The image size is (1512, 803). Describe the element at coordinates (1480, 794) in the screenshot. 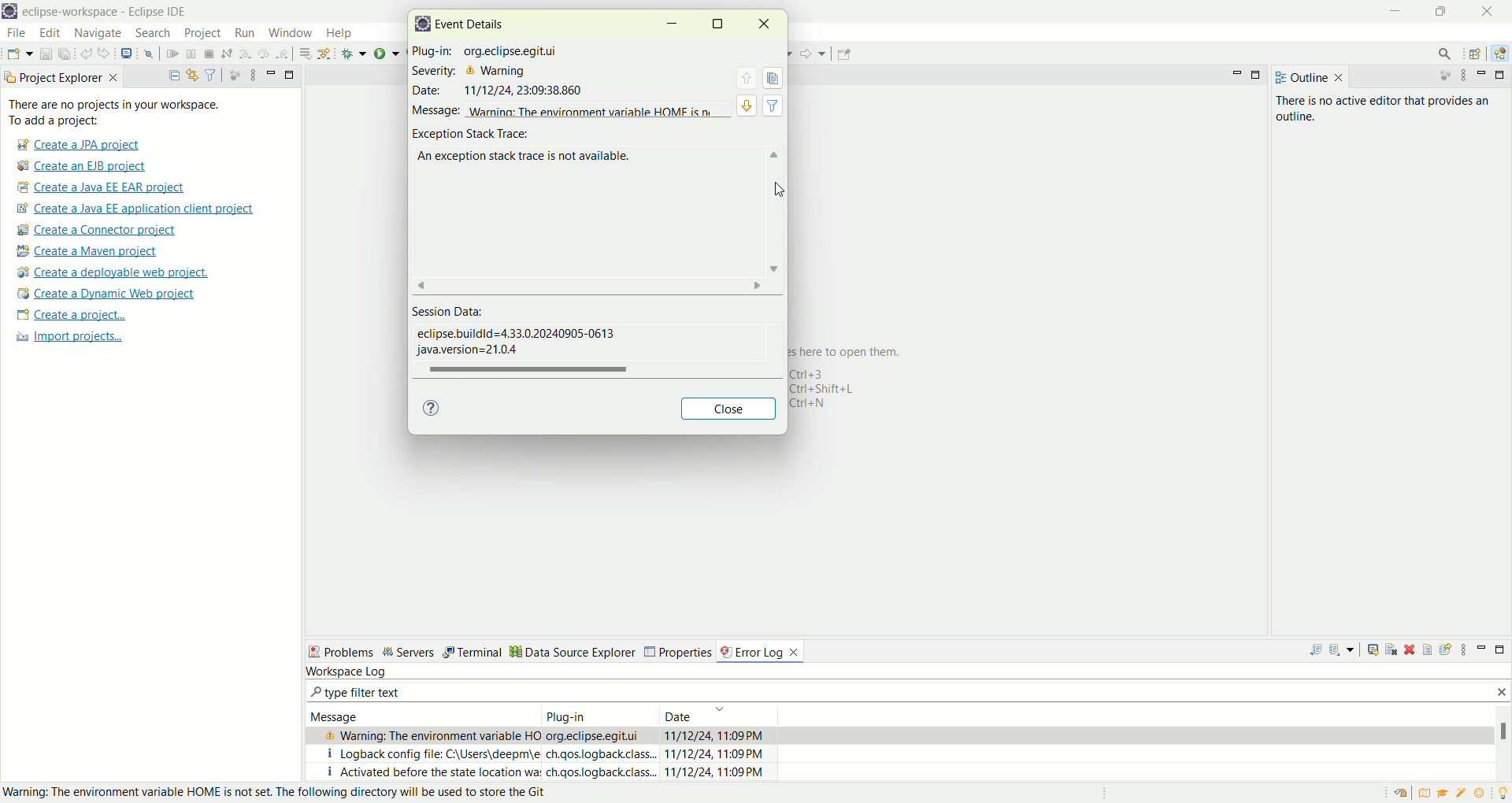

I see `what's new` at that location.